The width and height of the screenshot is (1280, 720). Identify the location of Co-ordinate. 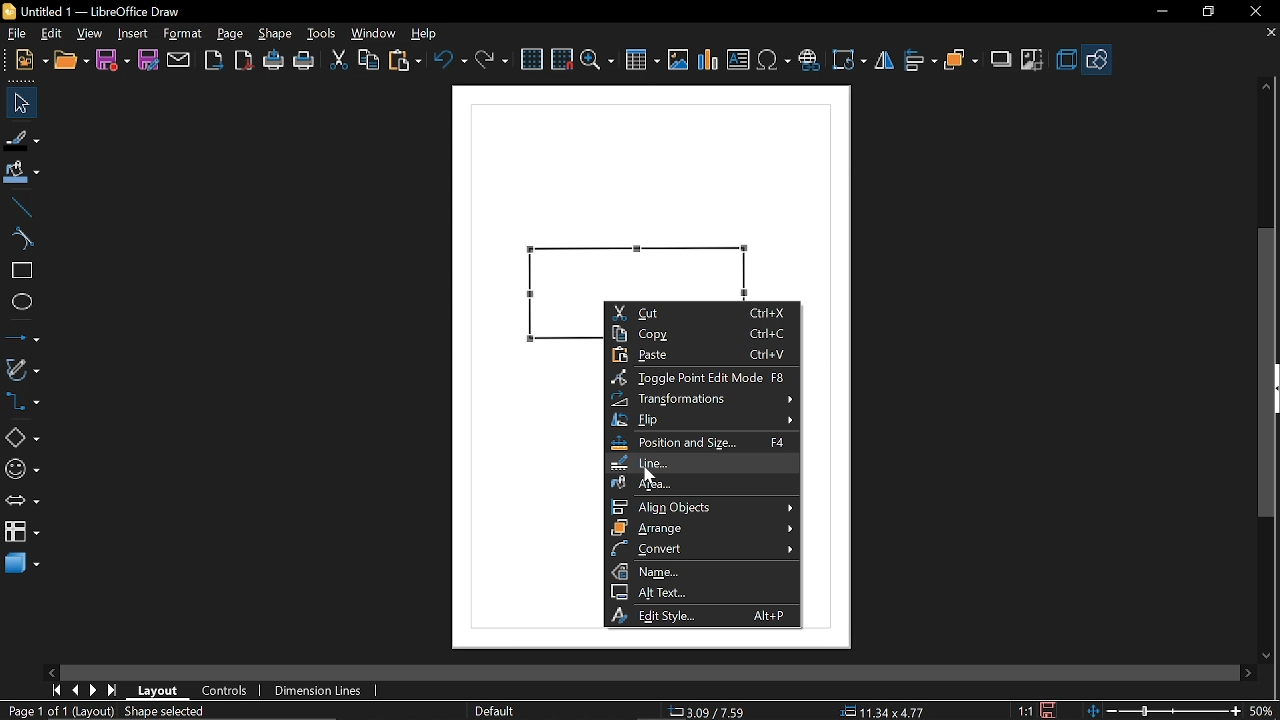
(712, 710).